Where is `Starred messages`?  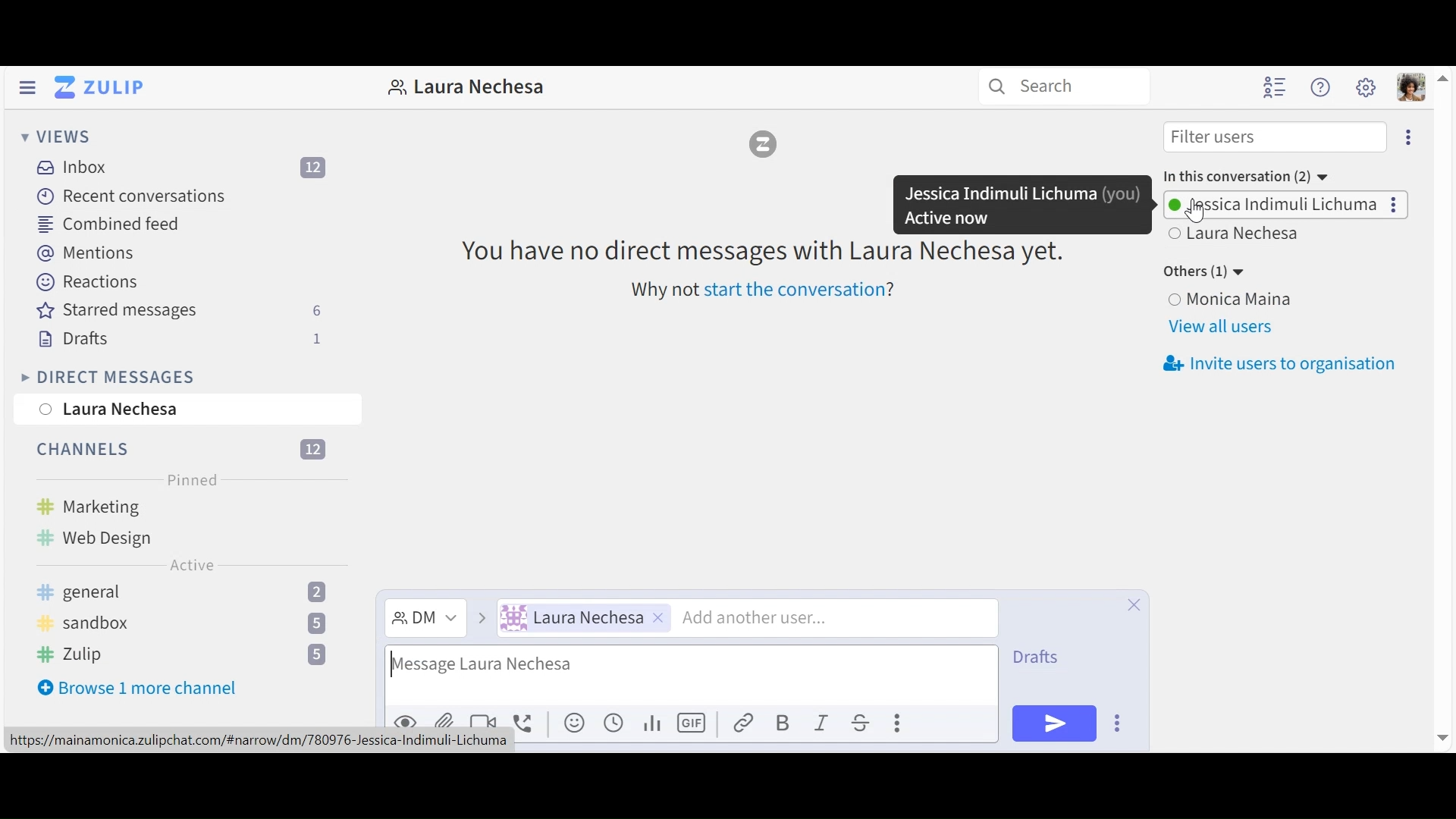 Starred messages is located at coordinates (180, 311).